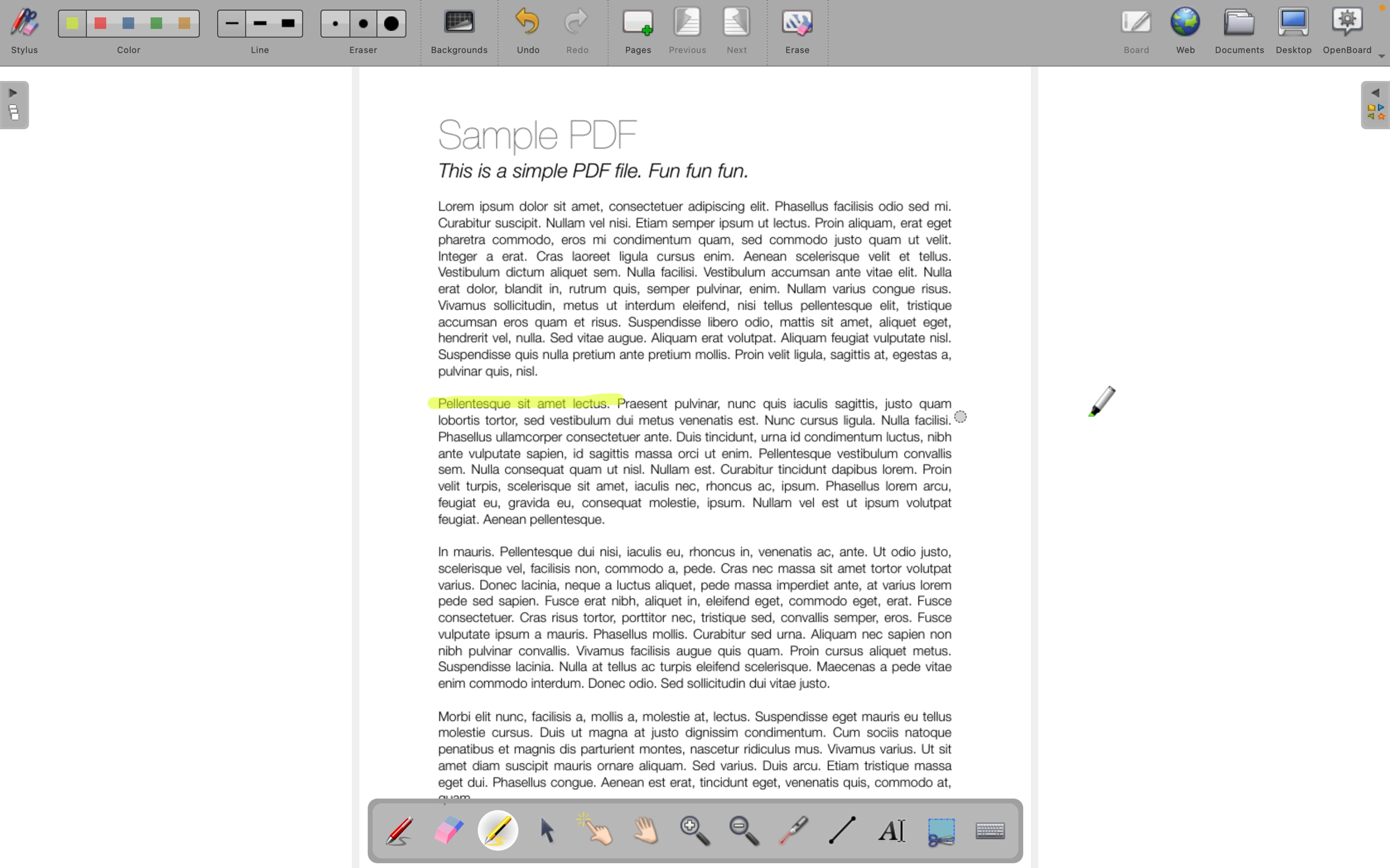  I want to click on eraser, so click(362, 33).